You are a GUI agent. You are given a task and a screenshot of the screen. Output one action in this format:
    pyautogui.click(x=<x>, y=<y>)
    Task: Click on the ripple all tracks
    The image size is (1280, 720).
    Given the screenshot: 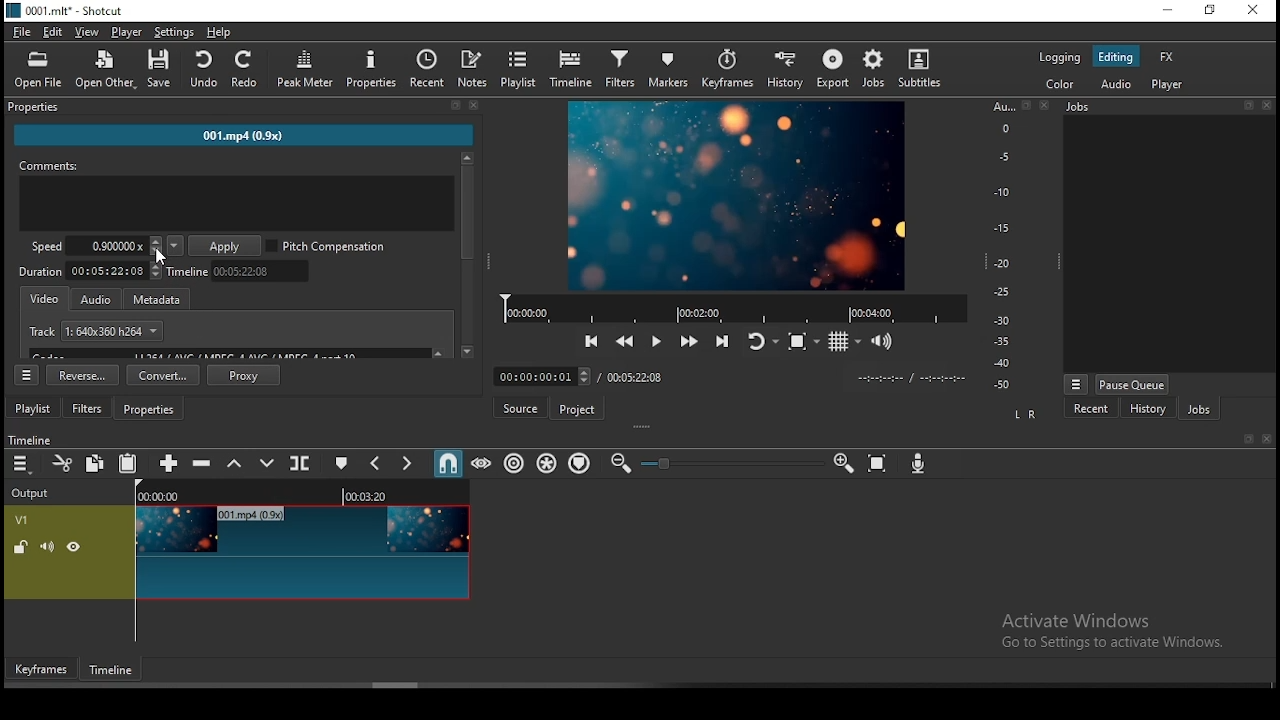 What is the action you would take?
    pyautogui.click(x=547, y=462)
    